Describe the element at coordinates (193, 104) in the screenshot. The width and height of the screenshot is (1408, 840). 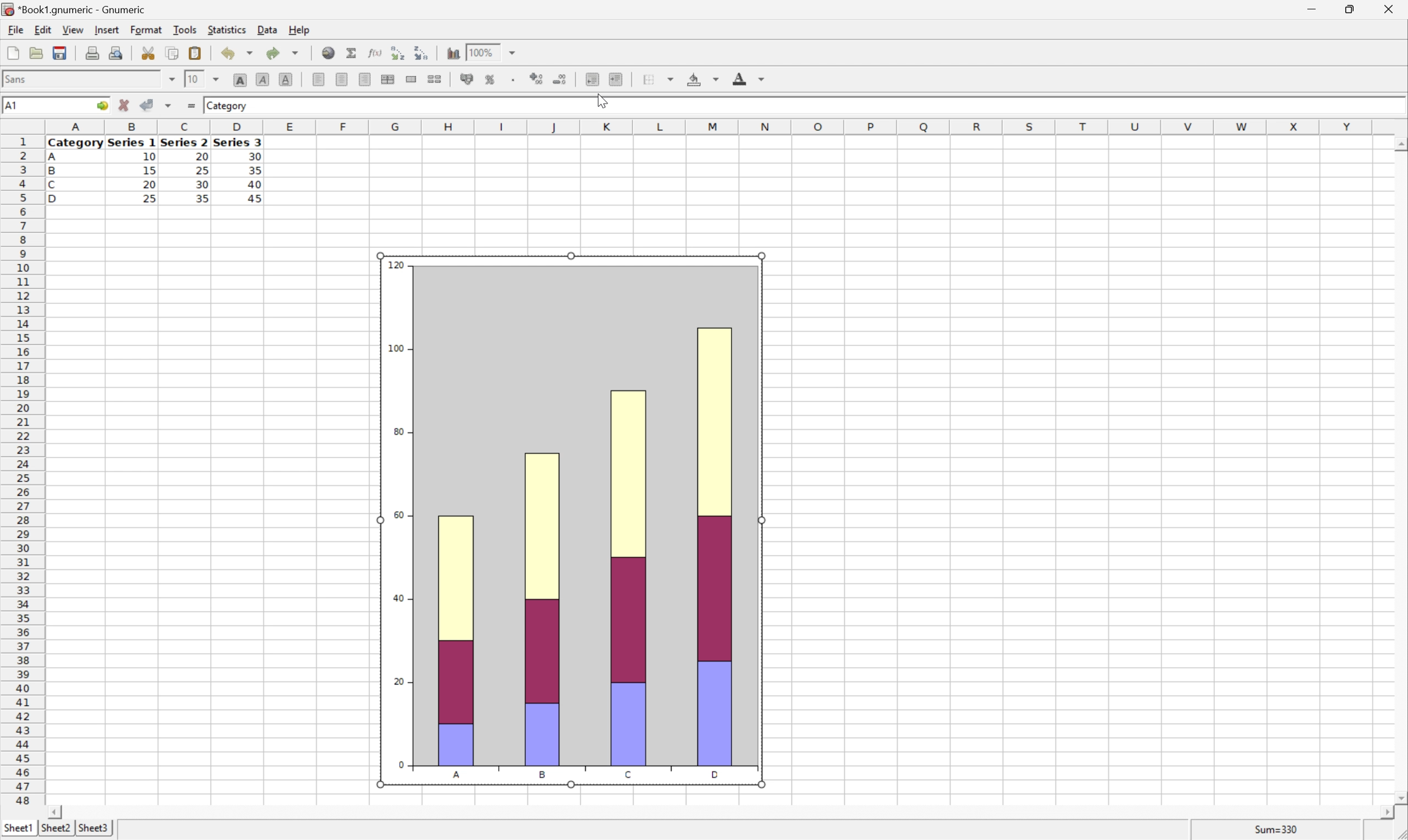
I see `Enter formula` at that location.